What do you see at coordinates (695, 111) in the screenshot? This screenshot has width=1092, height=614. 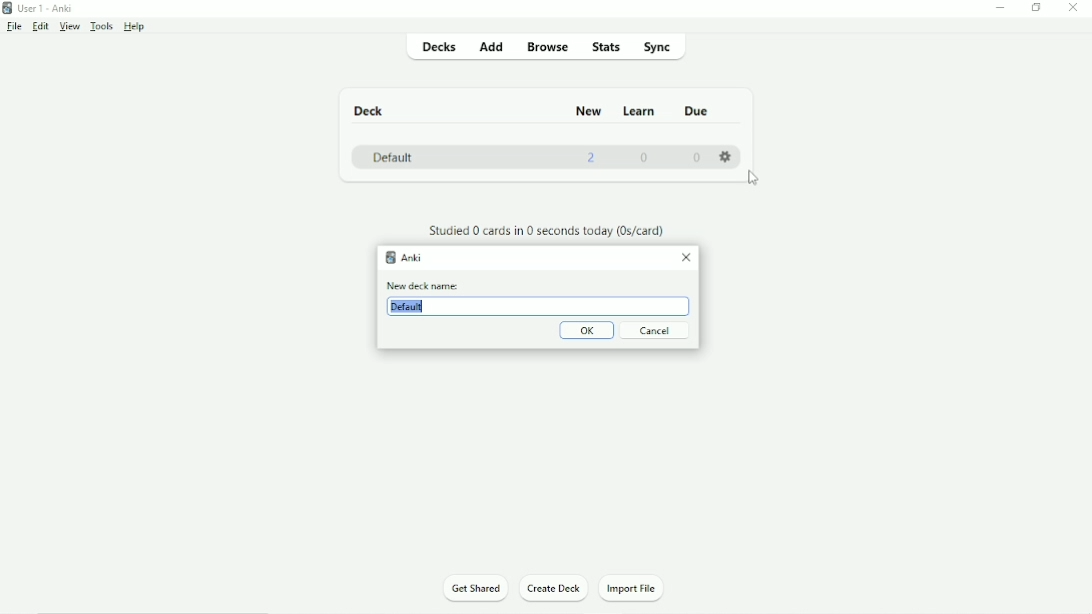 I see `Due` at bounding box center [695, 111].